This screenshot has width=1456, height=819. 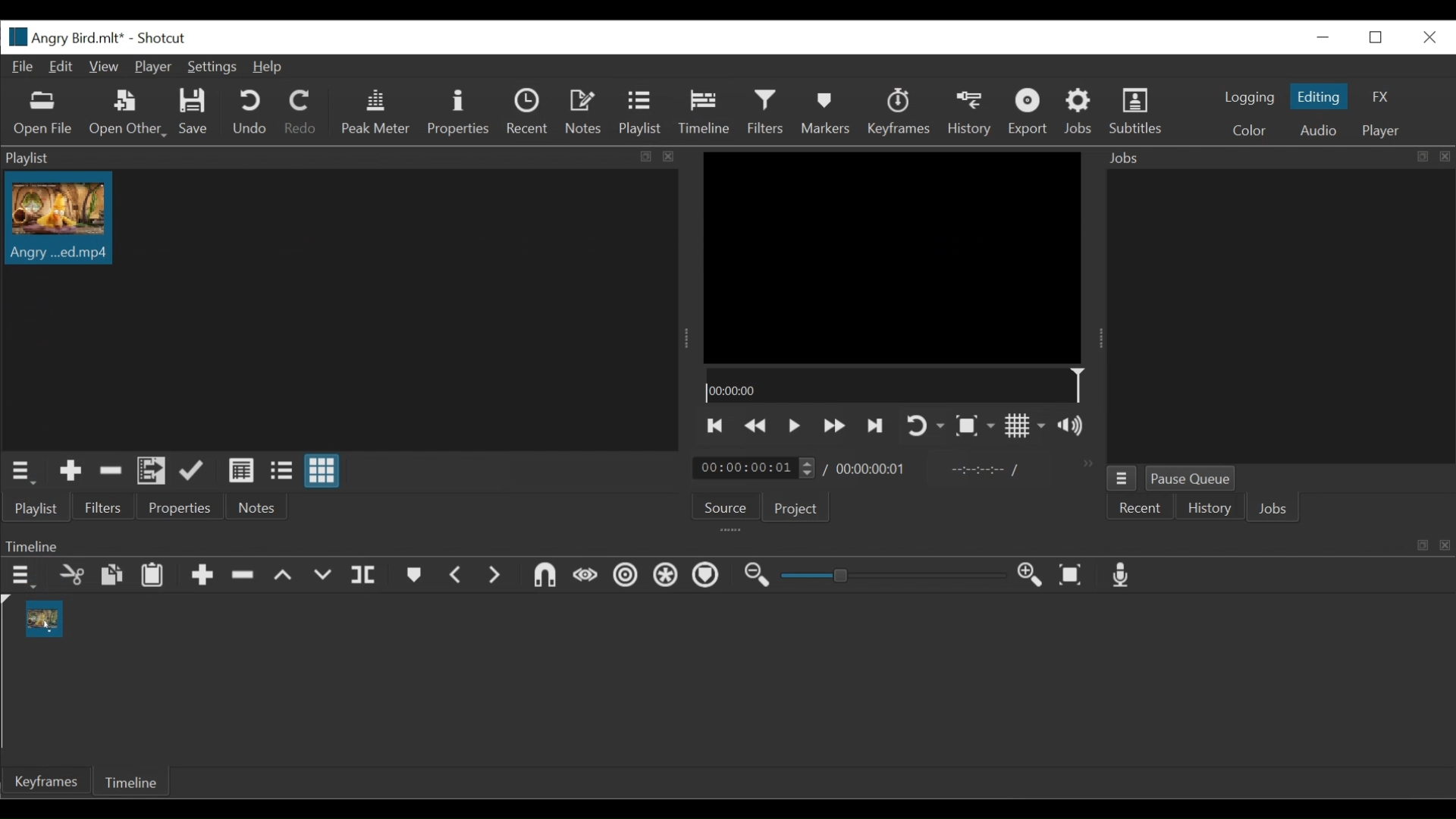 What do you see at coordinates (43, 620) in the screenshot?
I see `clip` at bounding box center [43, 620].